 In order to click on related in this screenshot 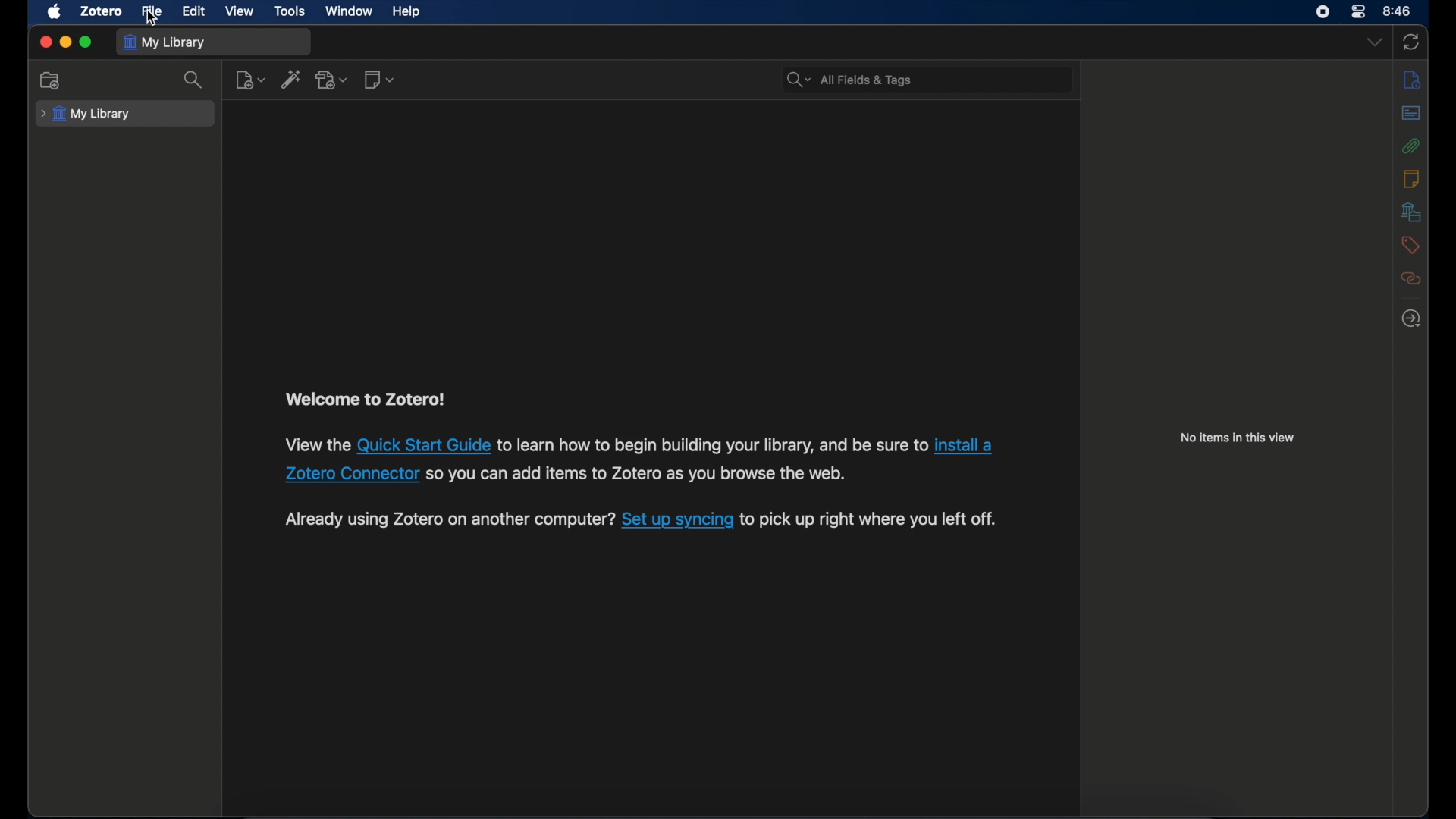, I will do `click(1411, 278)`.